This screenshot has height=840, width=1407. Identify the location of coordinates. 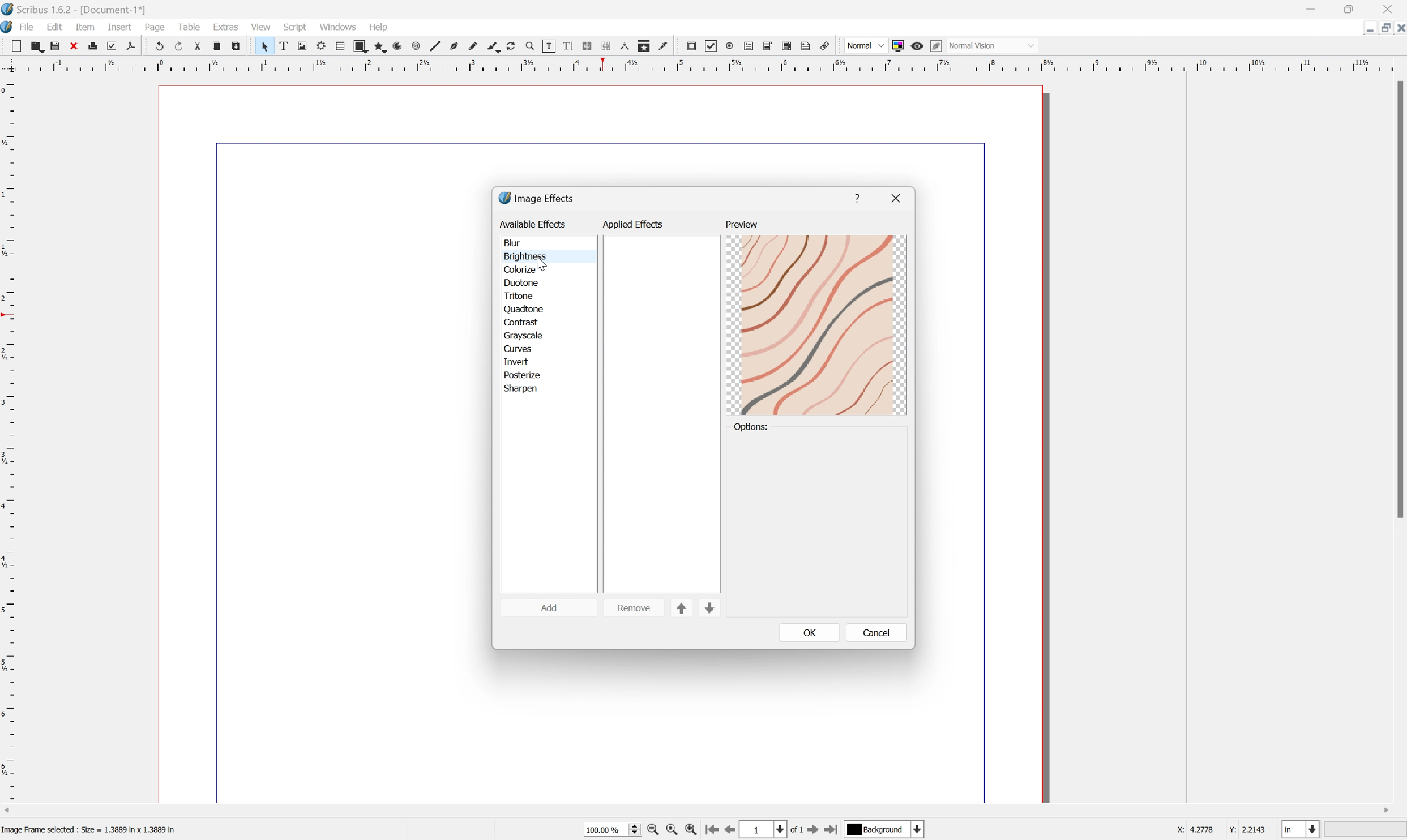
(1221, 832).